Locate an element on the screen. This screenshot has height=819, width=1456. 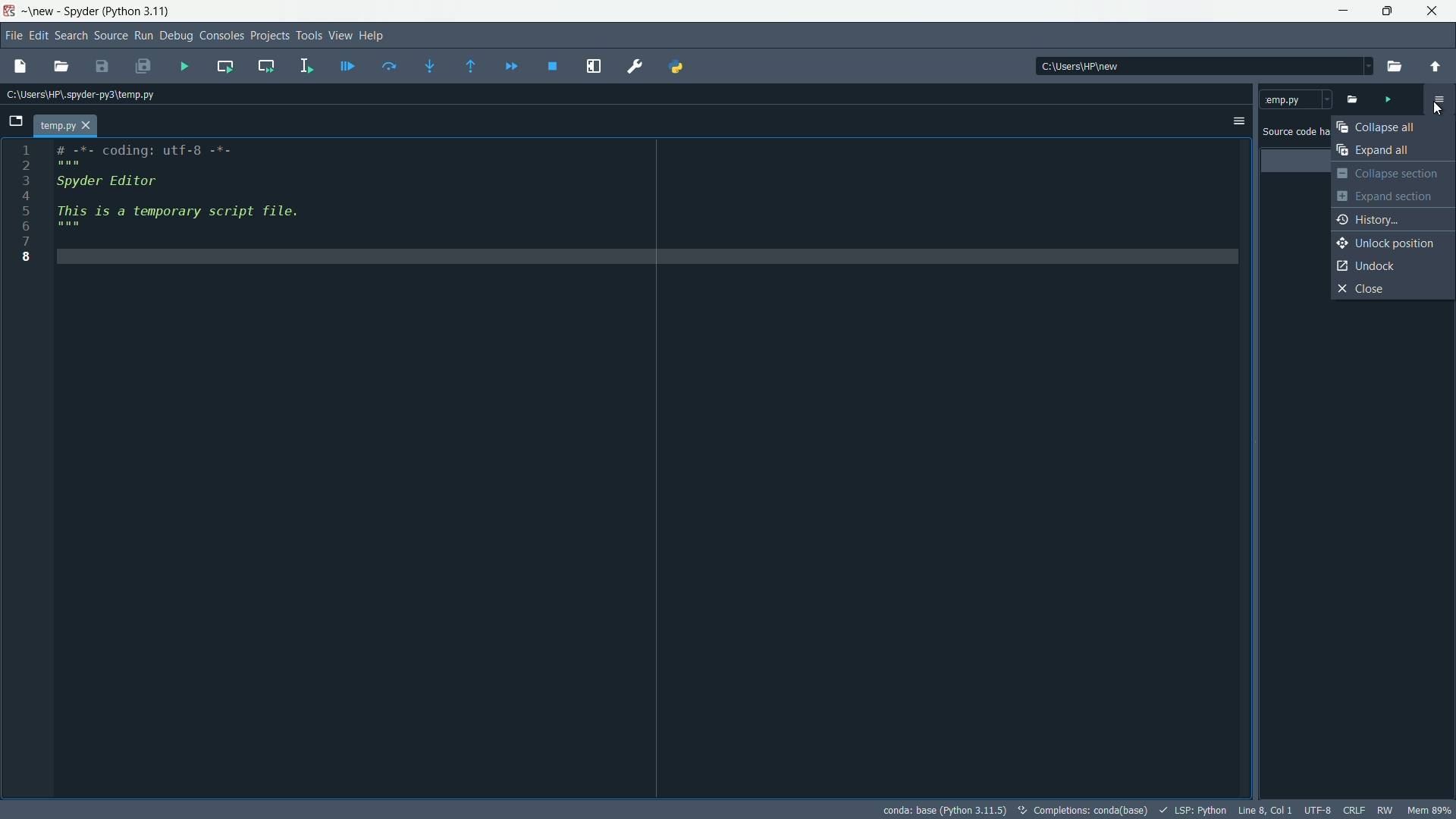
debug menu is located at coordinates (177, 36).